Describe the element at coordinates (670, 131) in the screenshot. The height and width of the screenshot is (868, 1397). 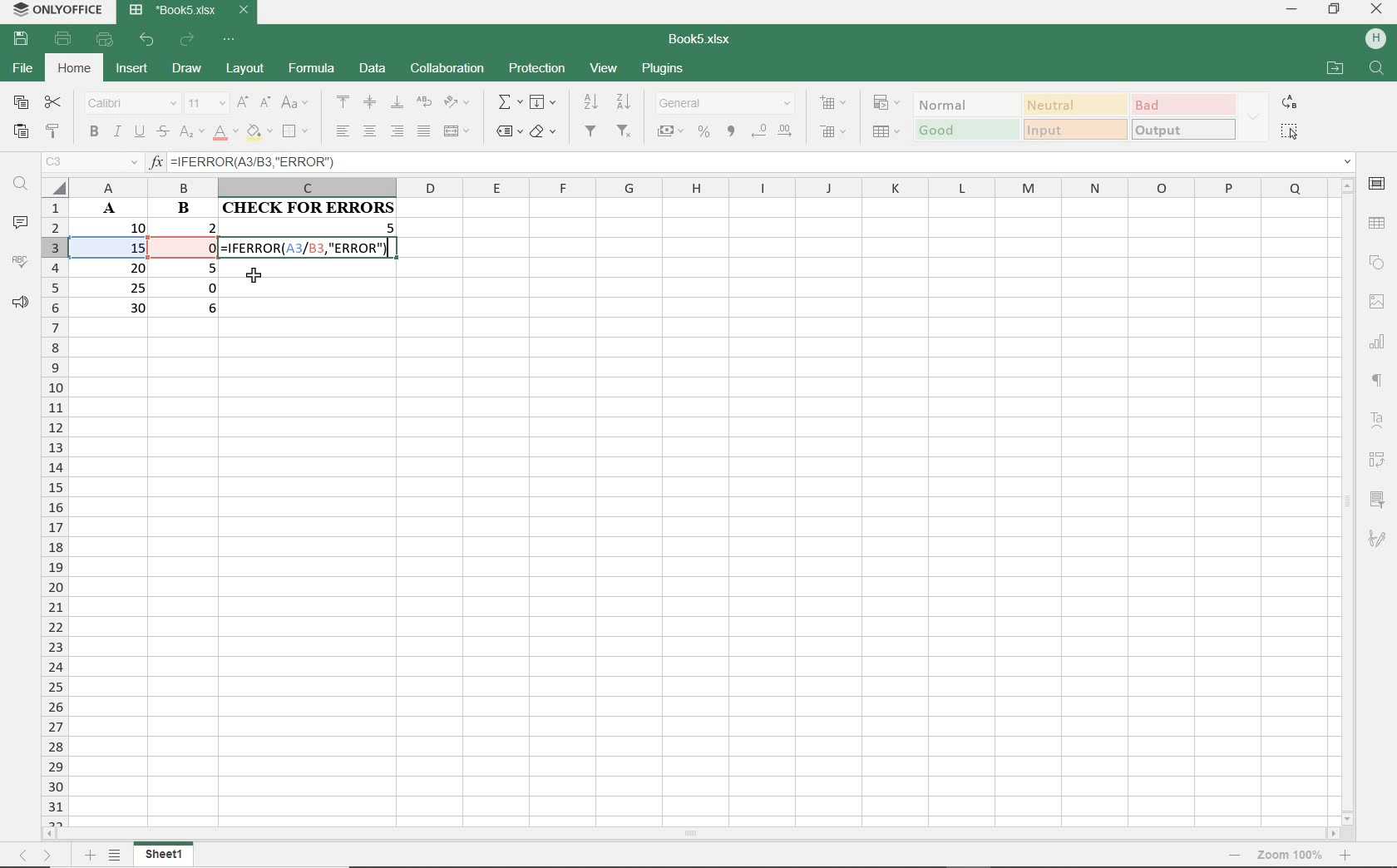
I see `ACCOUNTING STYLE` at that location.